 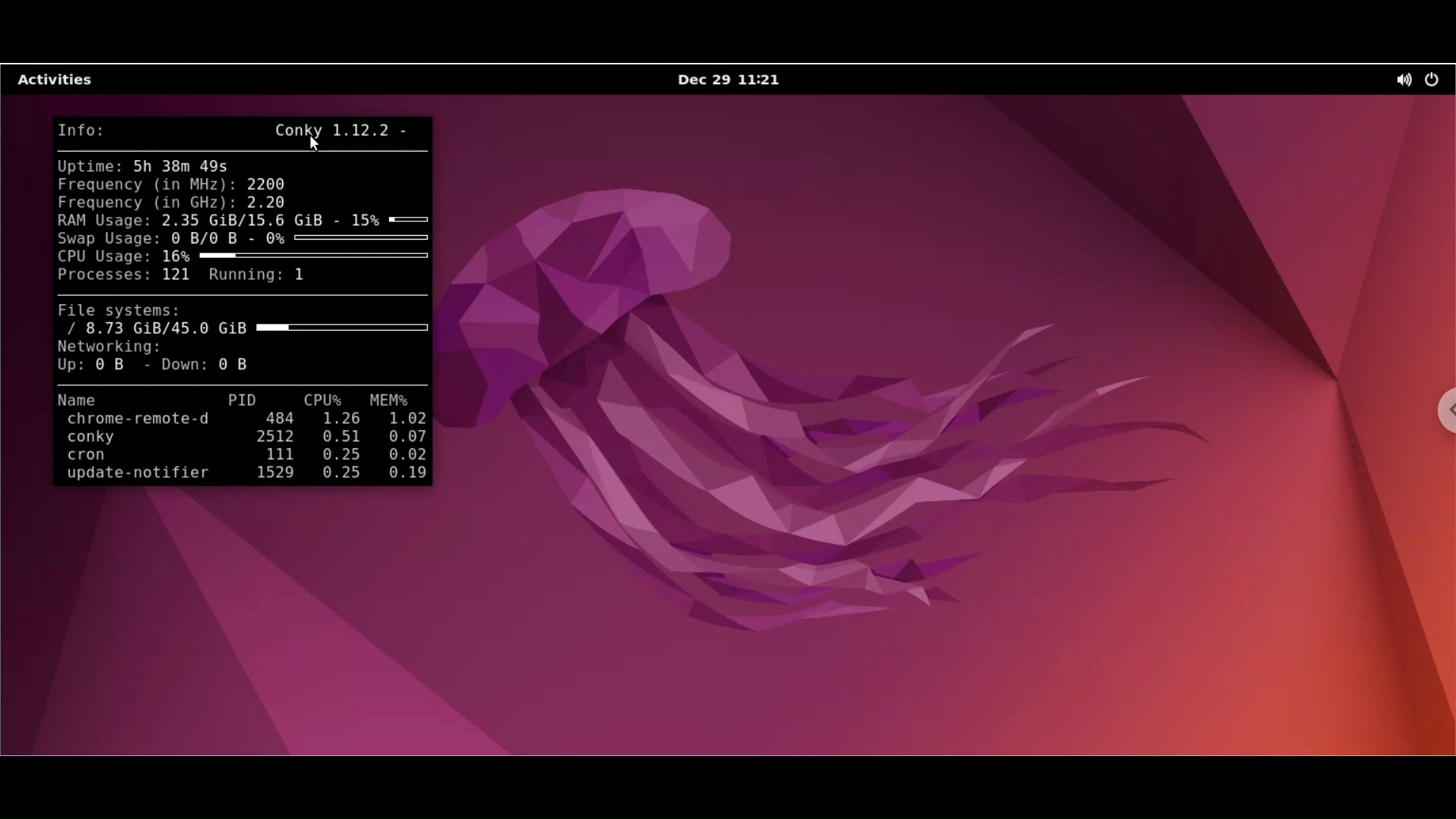 What do you see at coordinates (116, 347) in the screenshot?
I see `networking:` at bounding box center [116, 347].